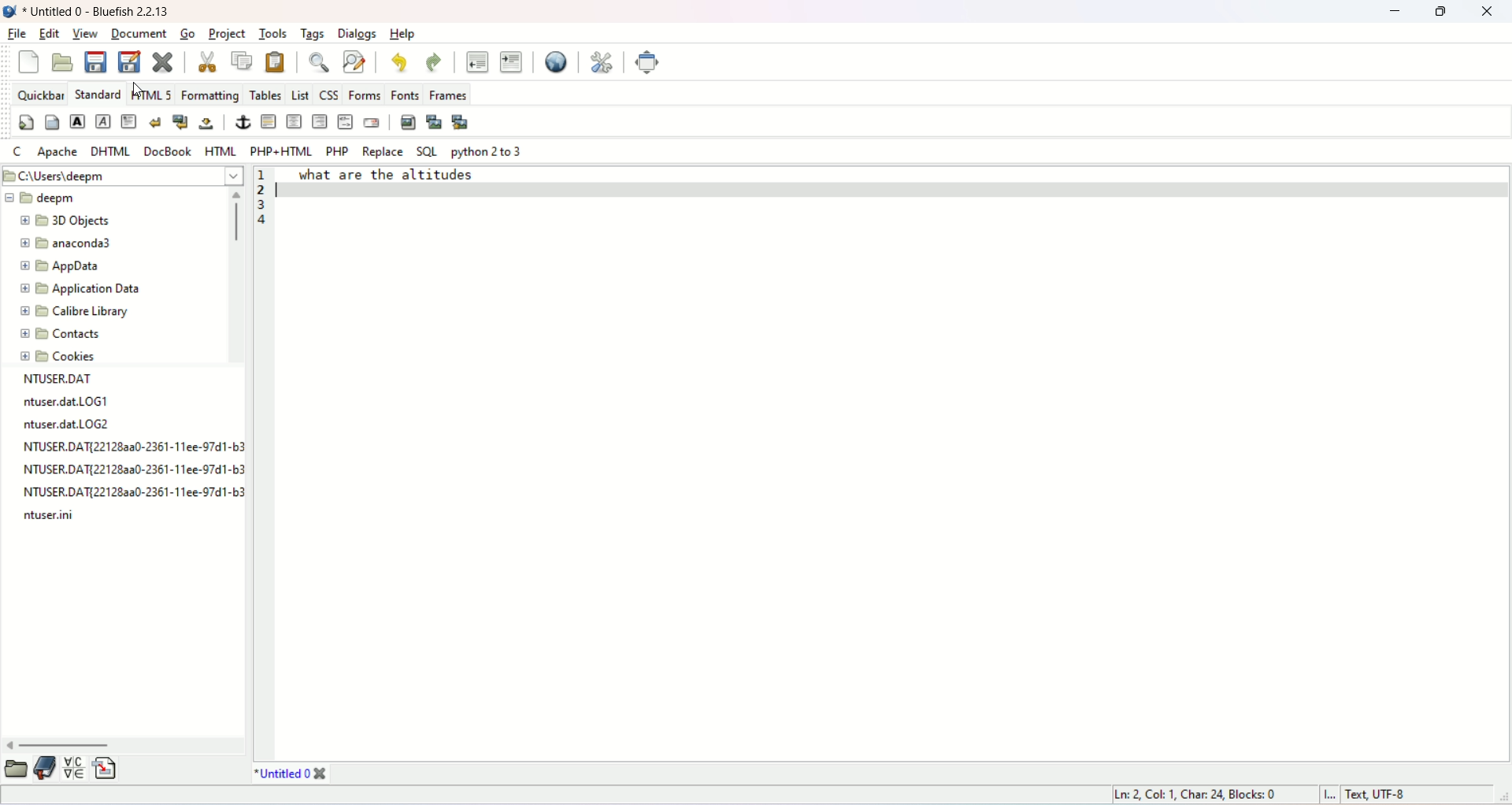 Image resolution: width=1512 pixels, height=805 pixels. I want to click on anchor/hyperlink, so click(245, 121).